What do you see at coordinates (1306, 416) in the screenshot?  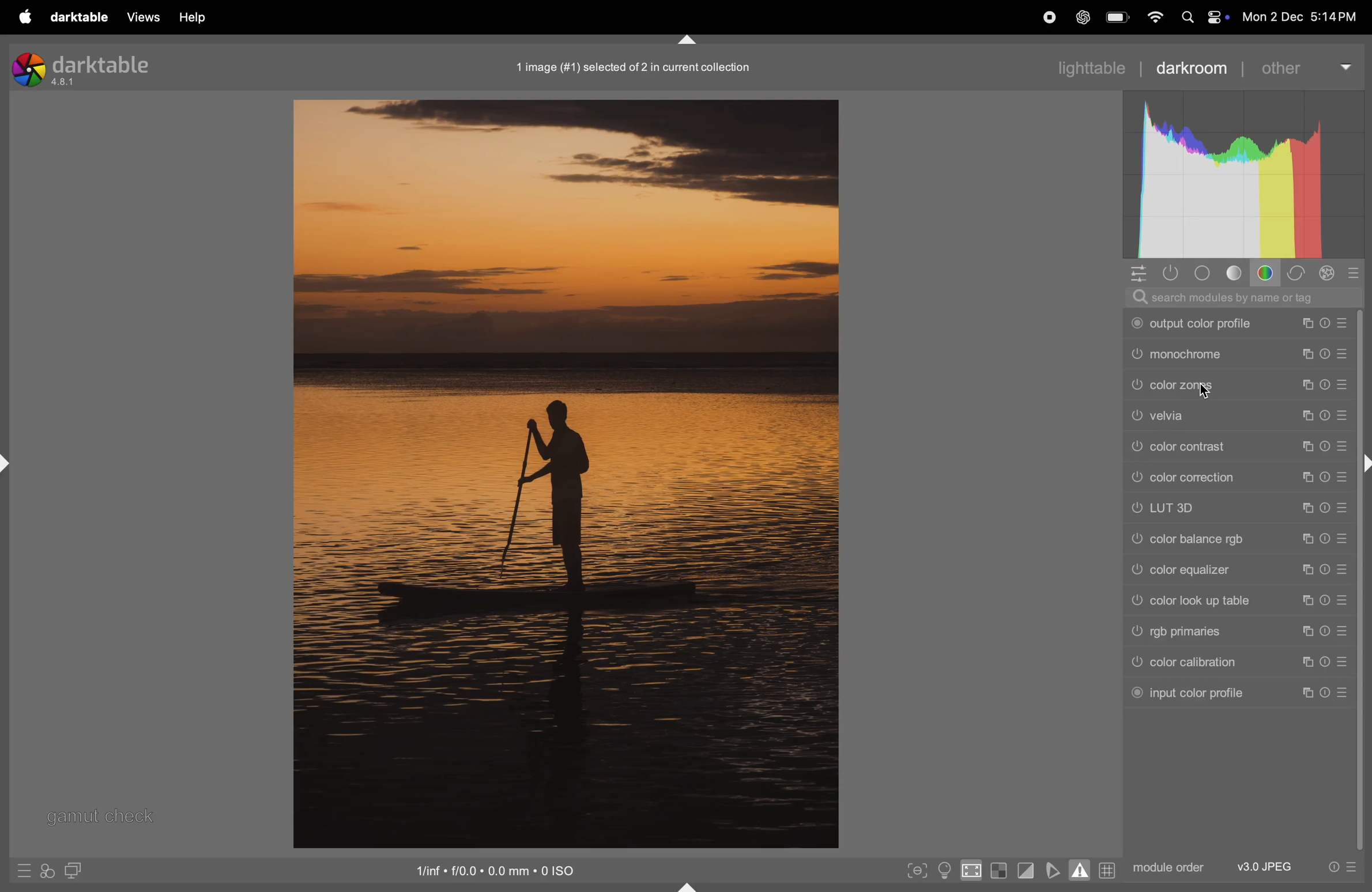 I see `Timer` at bounding box center [1306, 416].